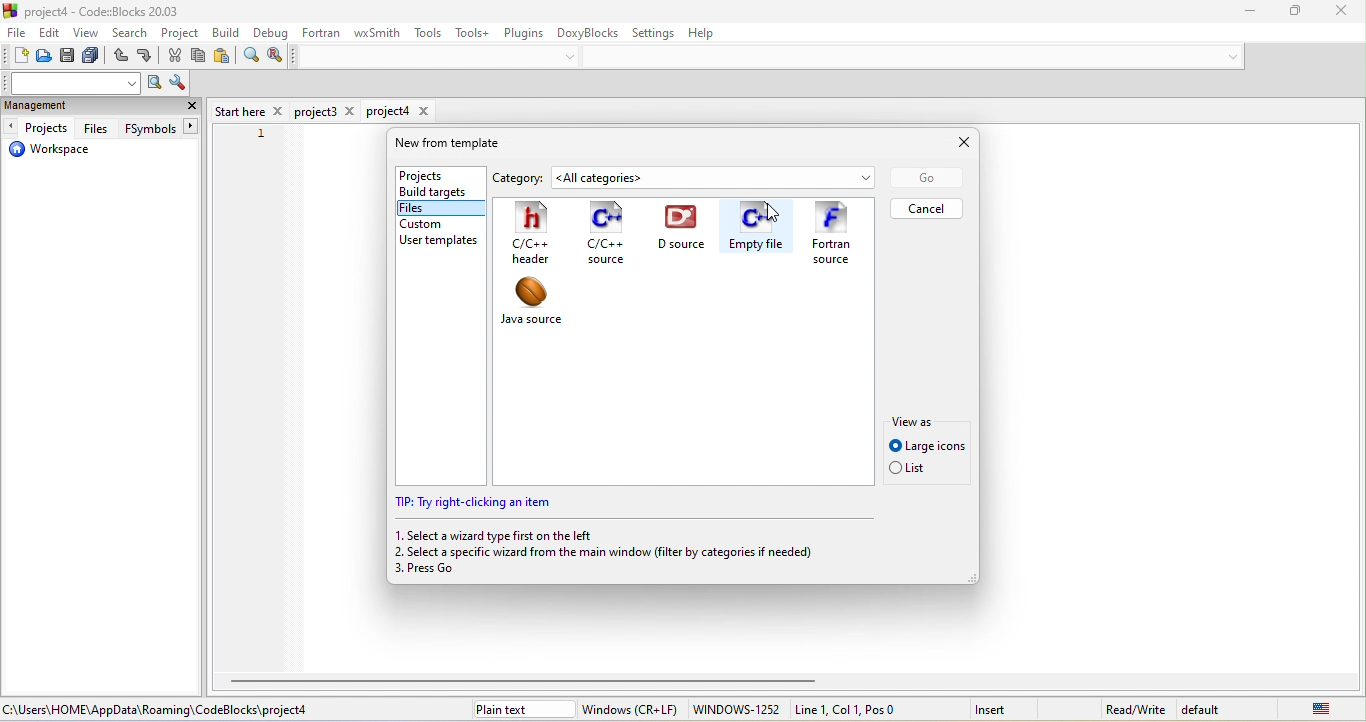 The height and width of the screenshot is (722, 1366). I want to click on empty file, so click(756, 230).